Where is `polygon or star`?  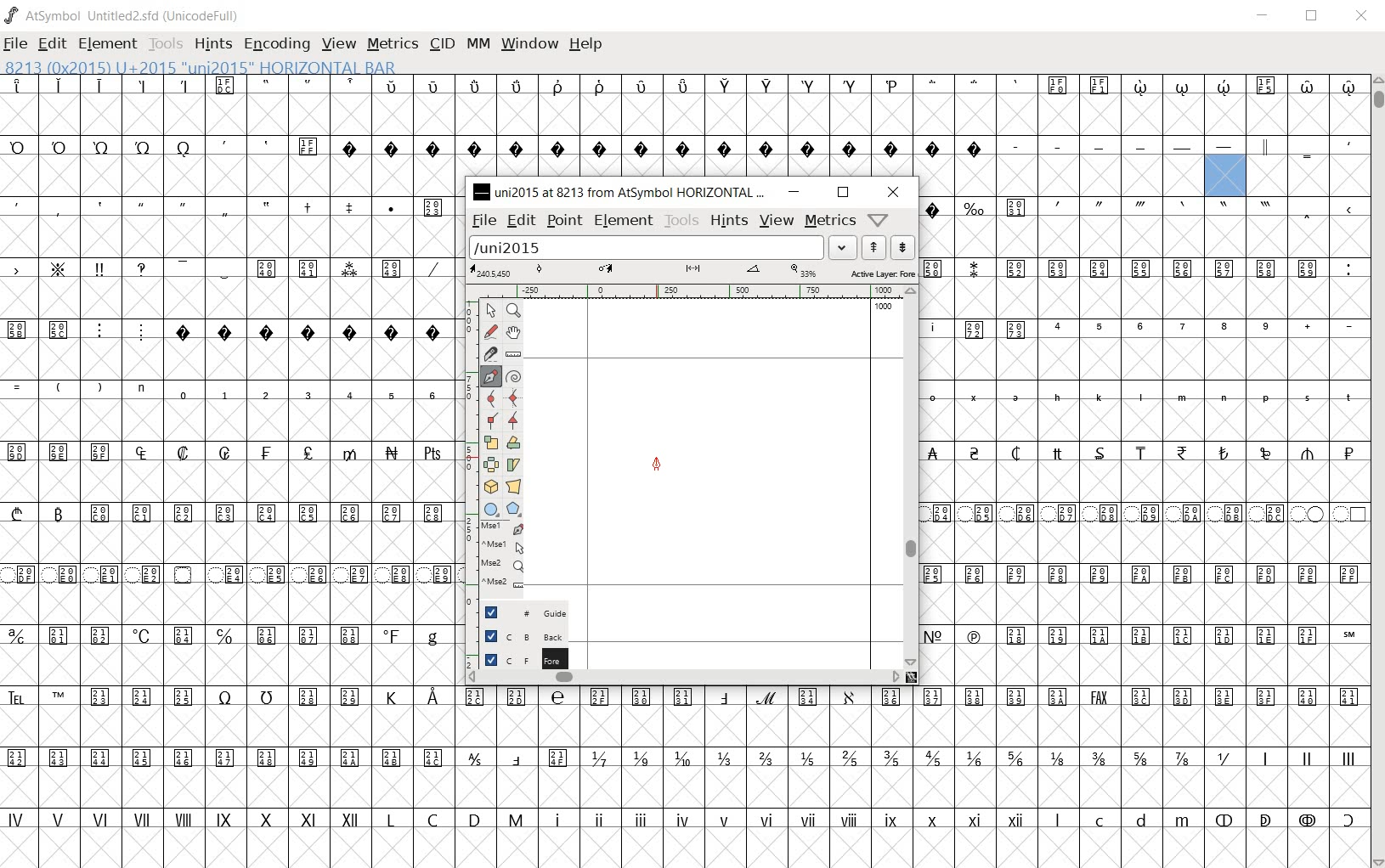
polygon or star is located at coordinates (514, 508).